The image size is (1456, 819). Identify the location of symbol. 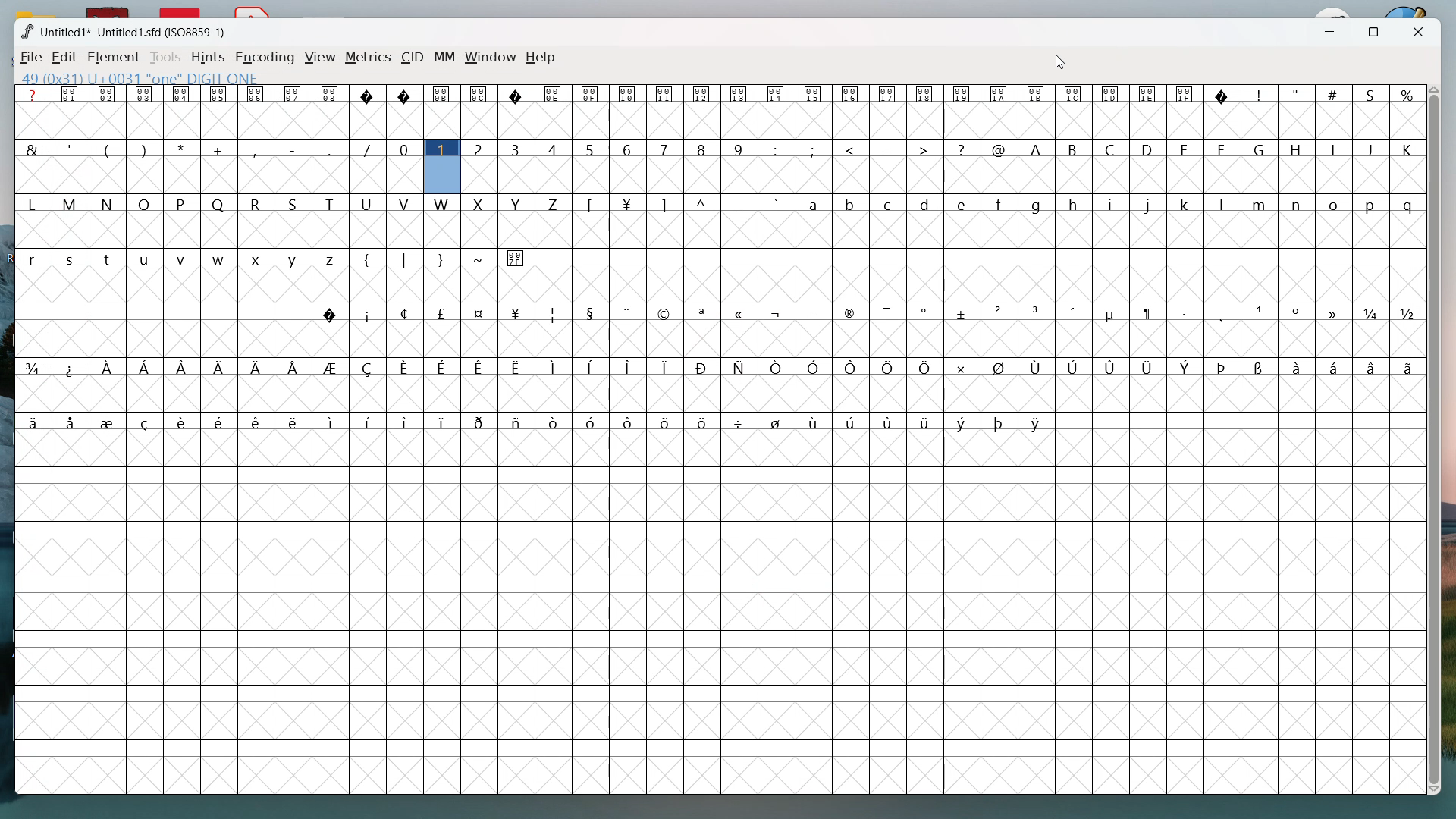
(926, 367).